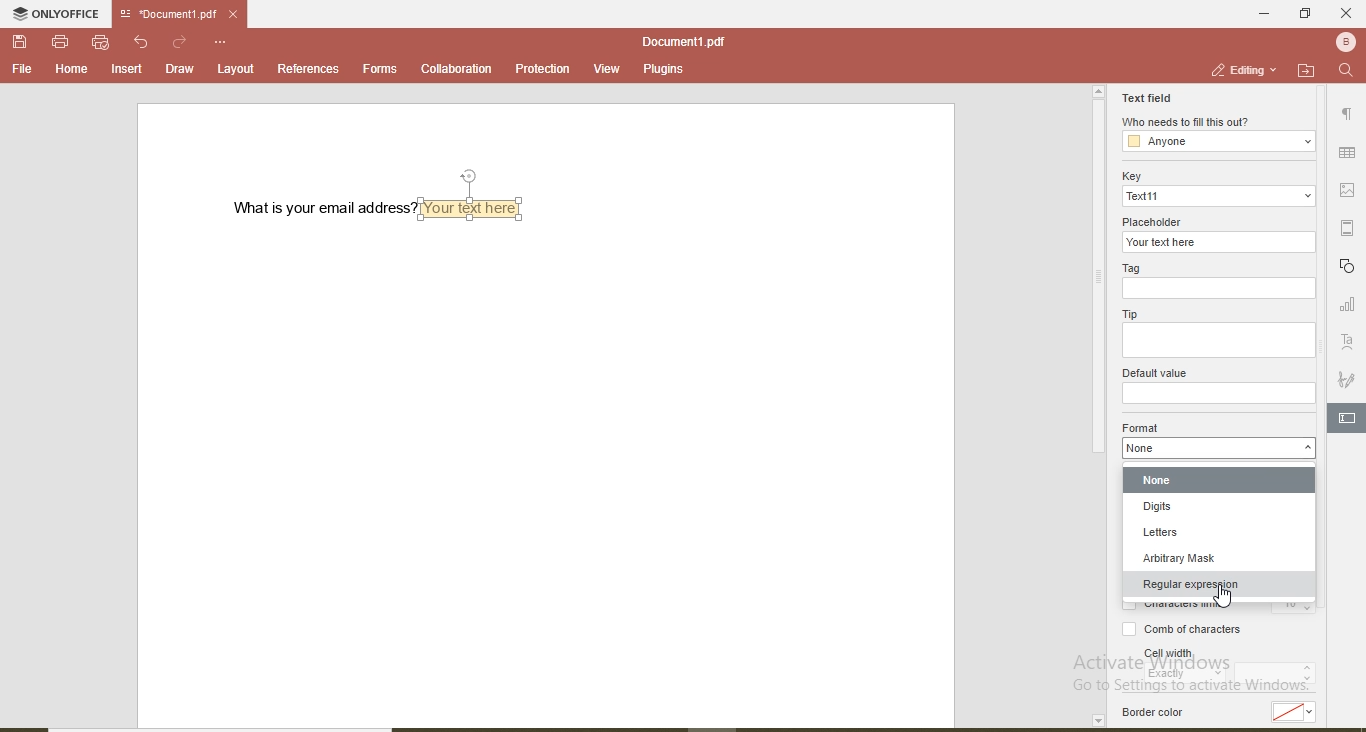 This screenshot has height=732, width=1366. What do you see at coordinates (1220, 142) in the screenshot?
I see `anyone` at bounding box center [1220, 142].